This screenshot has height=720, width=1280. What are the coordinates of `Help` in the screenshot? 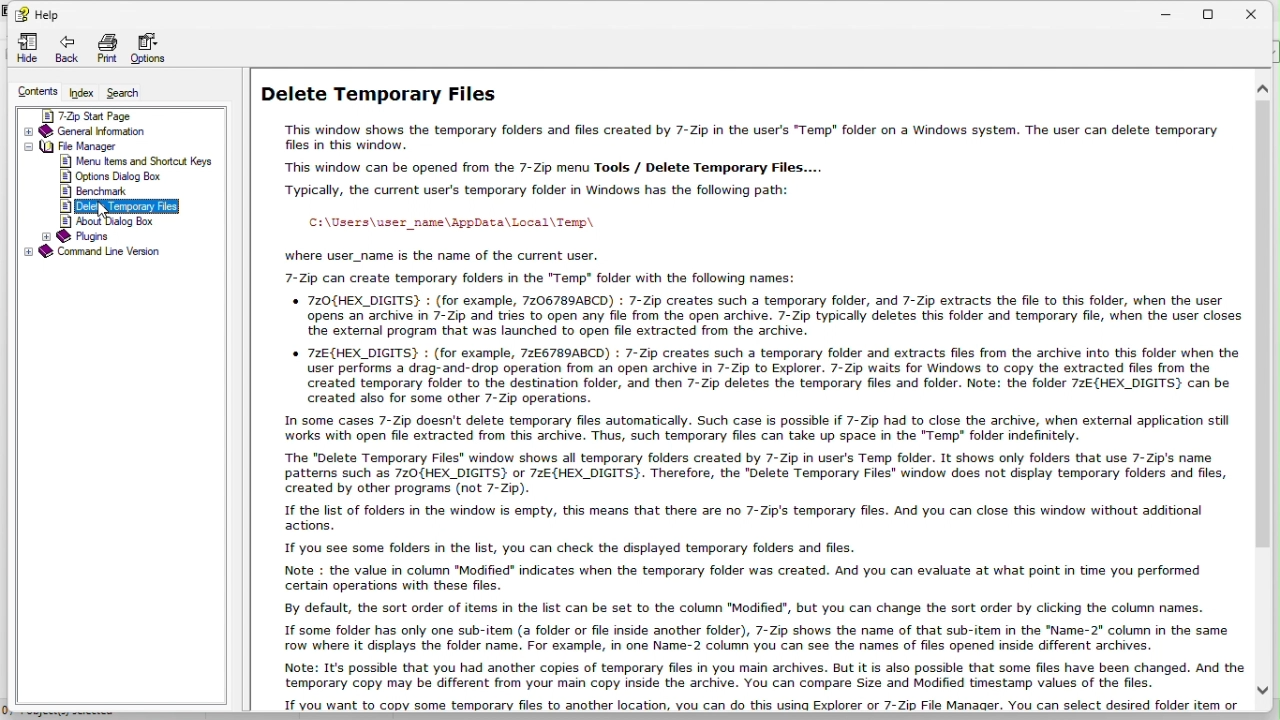 It's located at (36, 12).